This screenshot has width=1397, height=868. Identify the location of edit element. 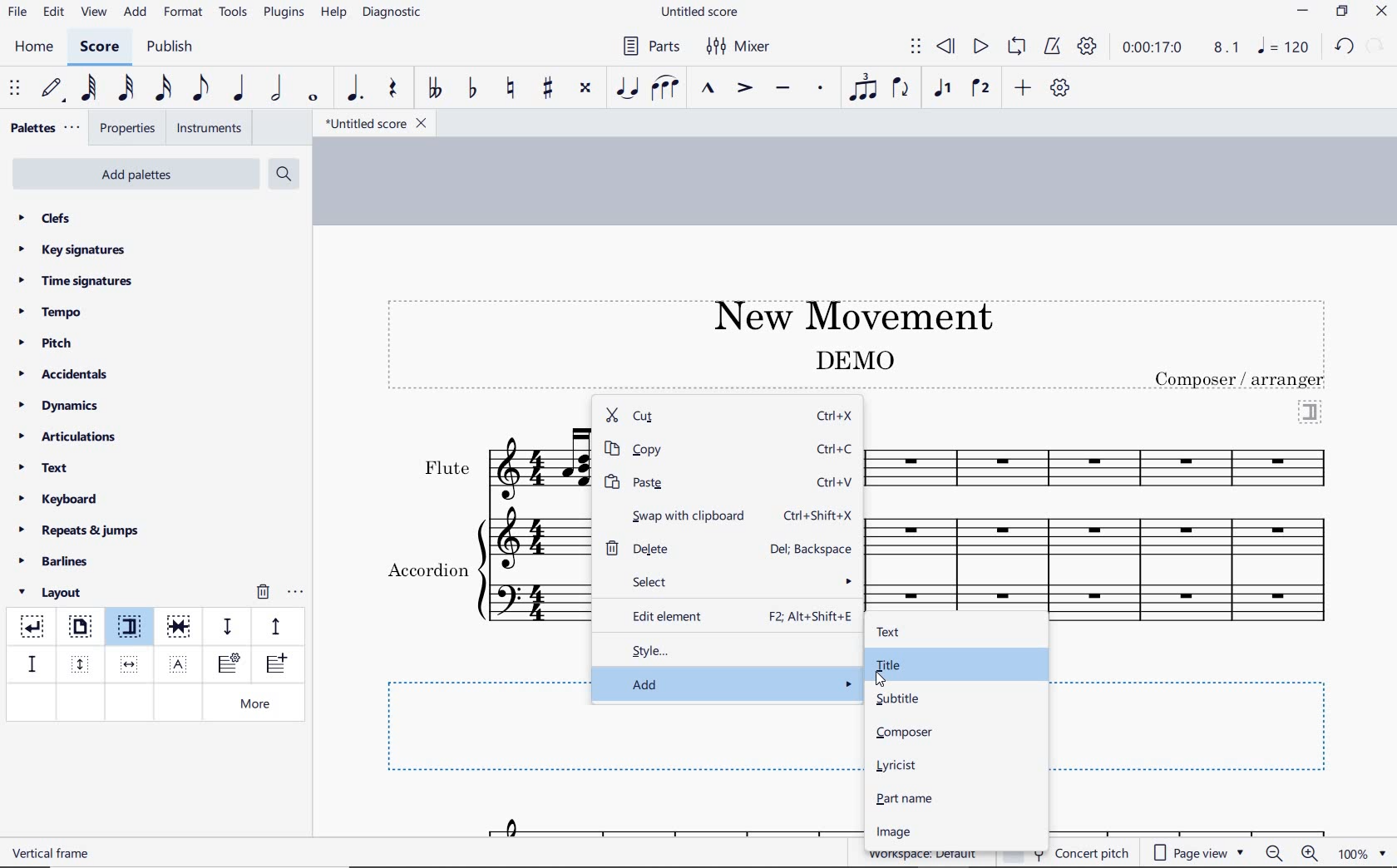
(664, 614).